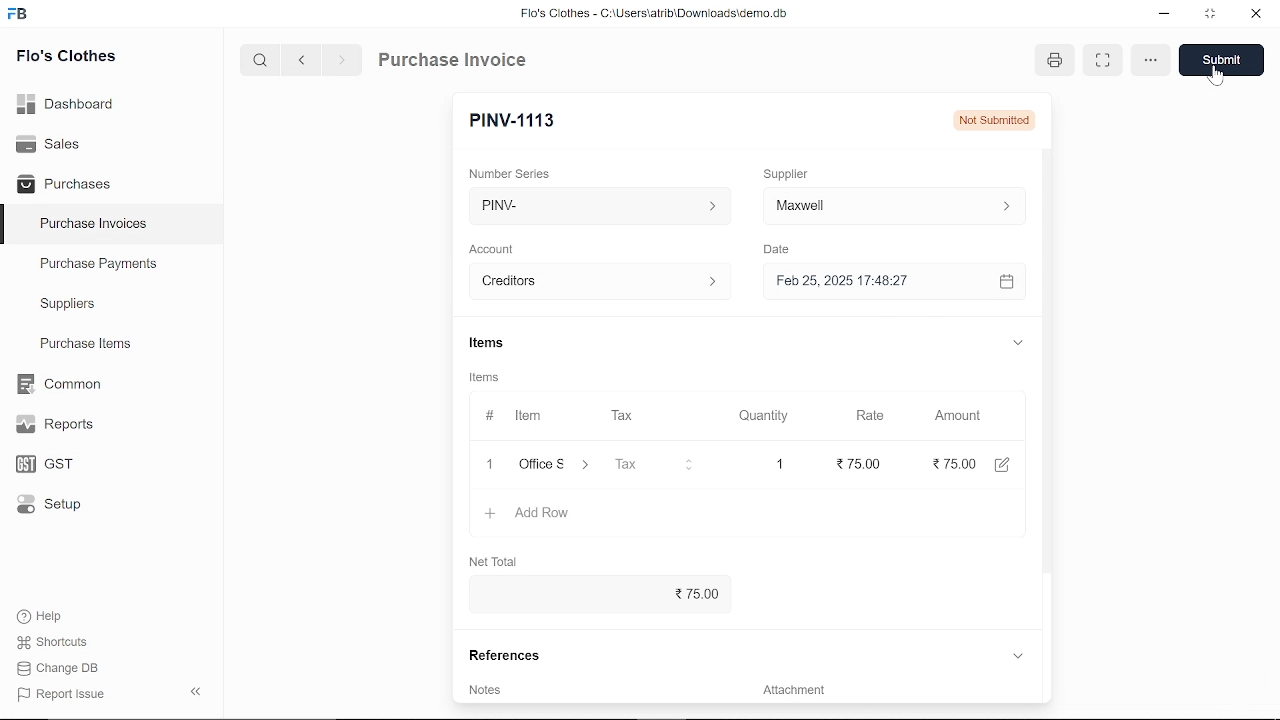 This screenshot has width=1280, height=720. I want to click on edit amount, so click(1009, 464).